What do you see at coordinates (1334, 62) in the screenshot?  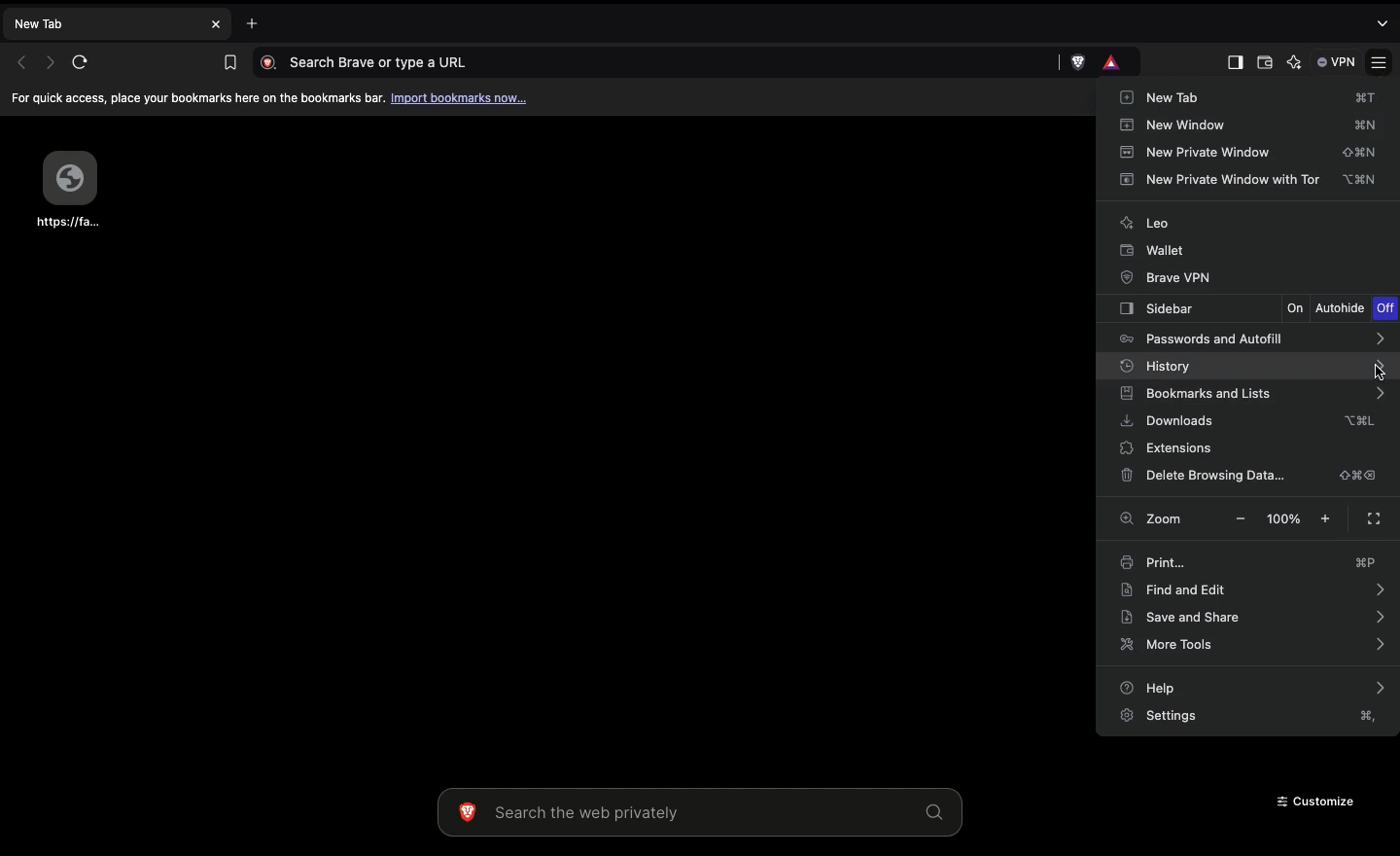 I see `VPN` at bounding box center [1334, 62].